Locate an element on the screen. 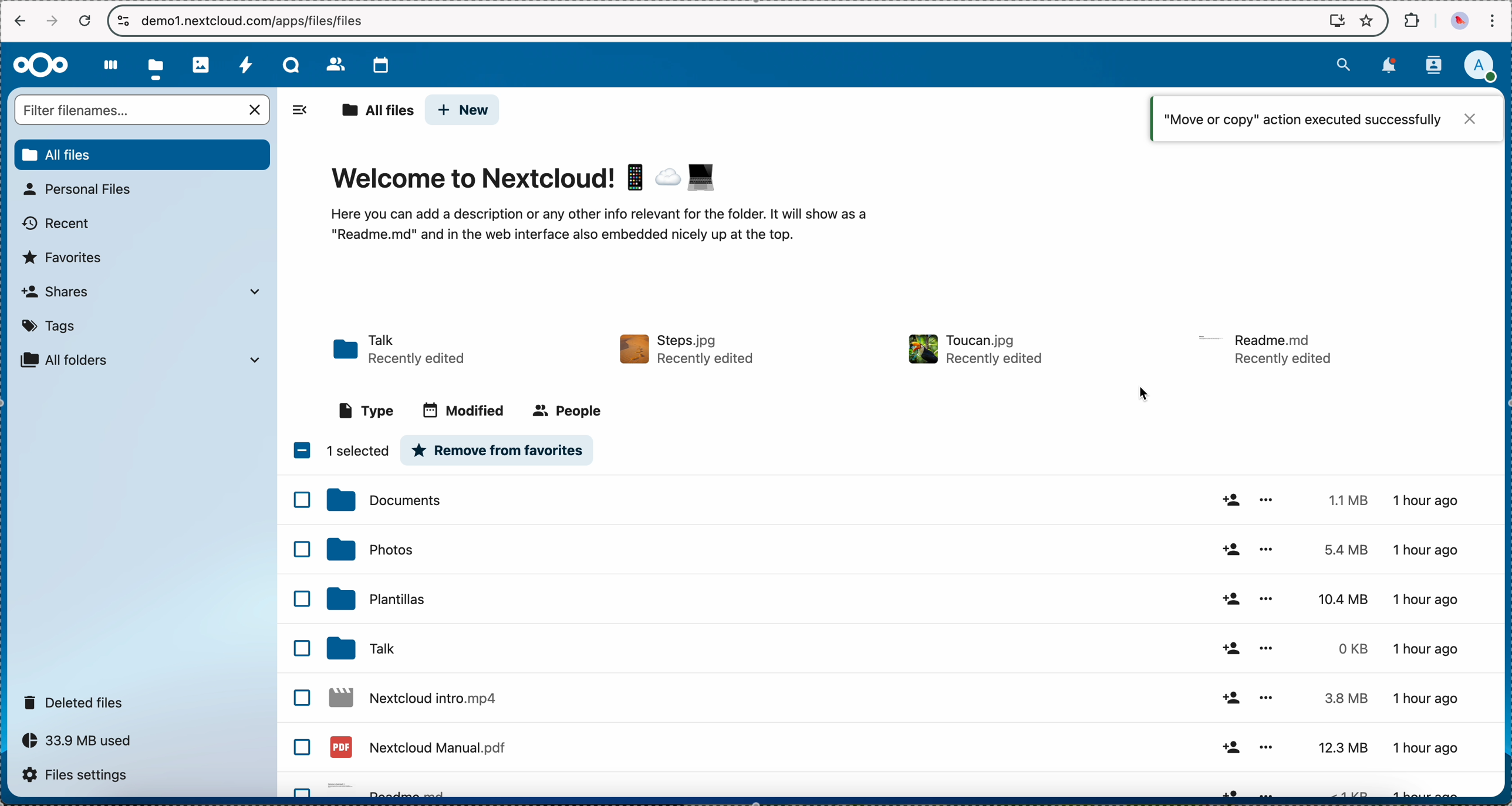  calendar is located at coordinates (376, 64).